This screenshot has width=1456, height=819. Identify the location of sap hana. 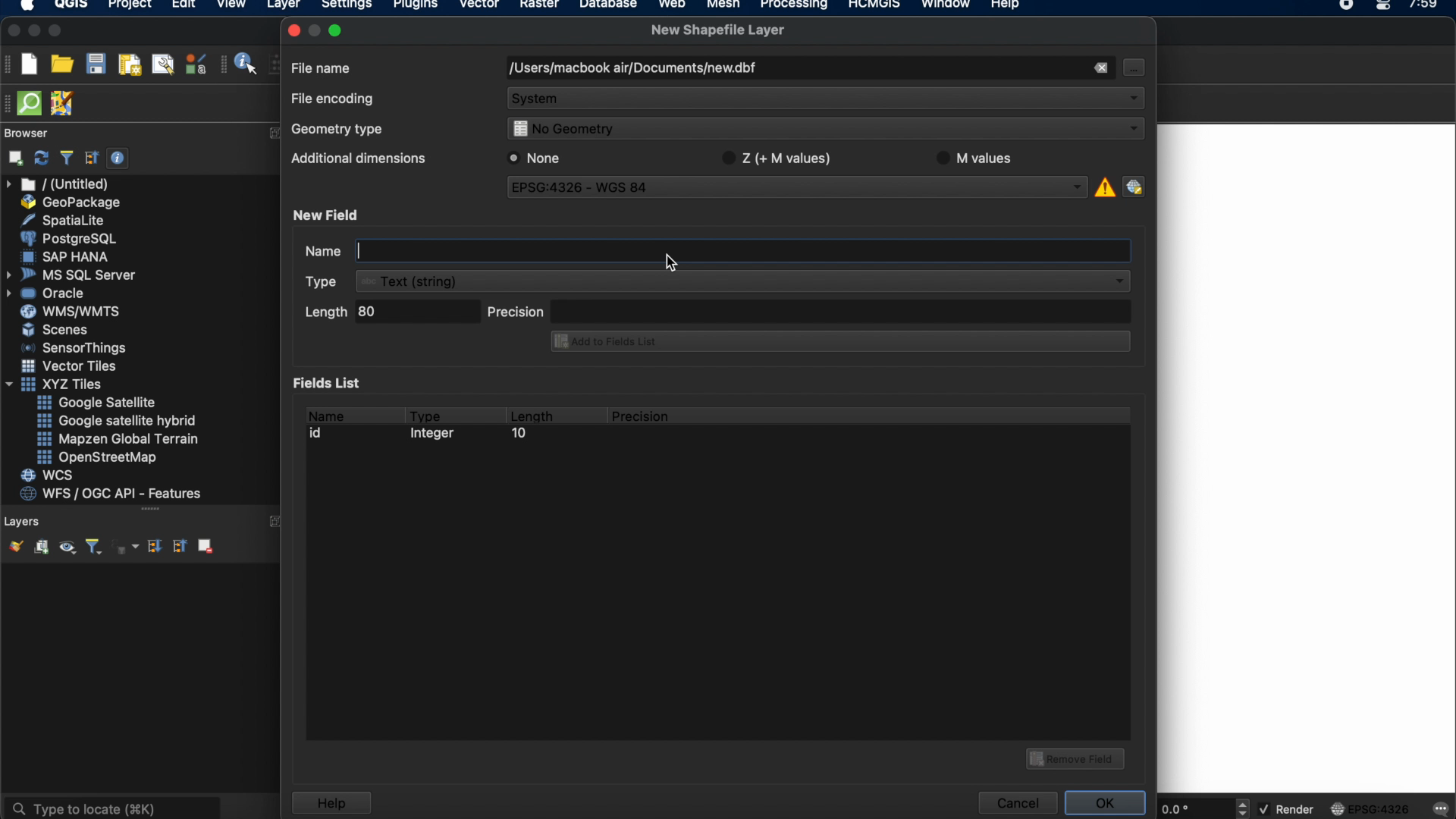
(67, 256).